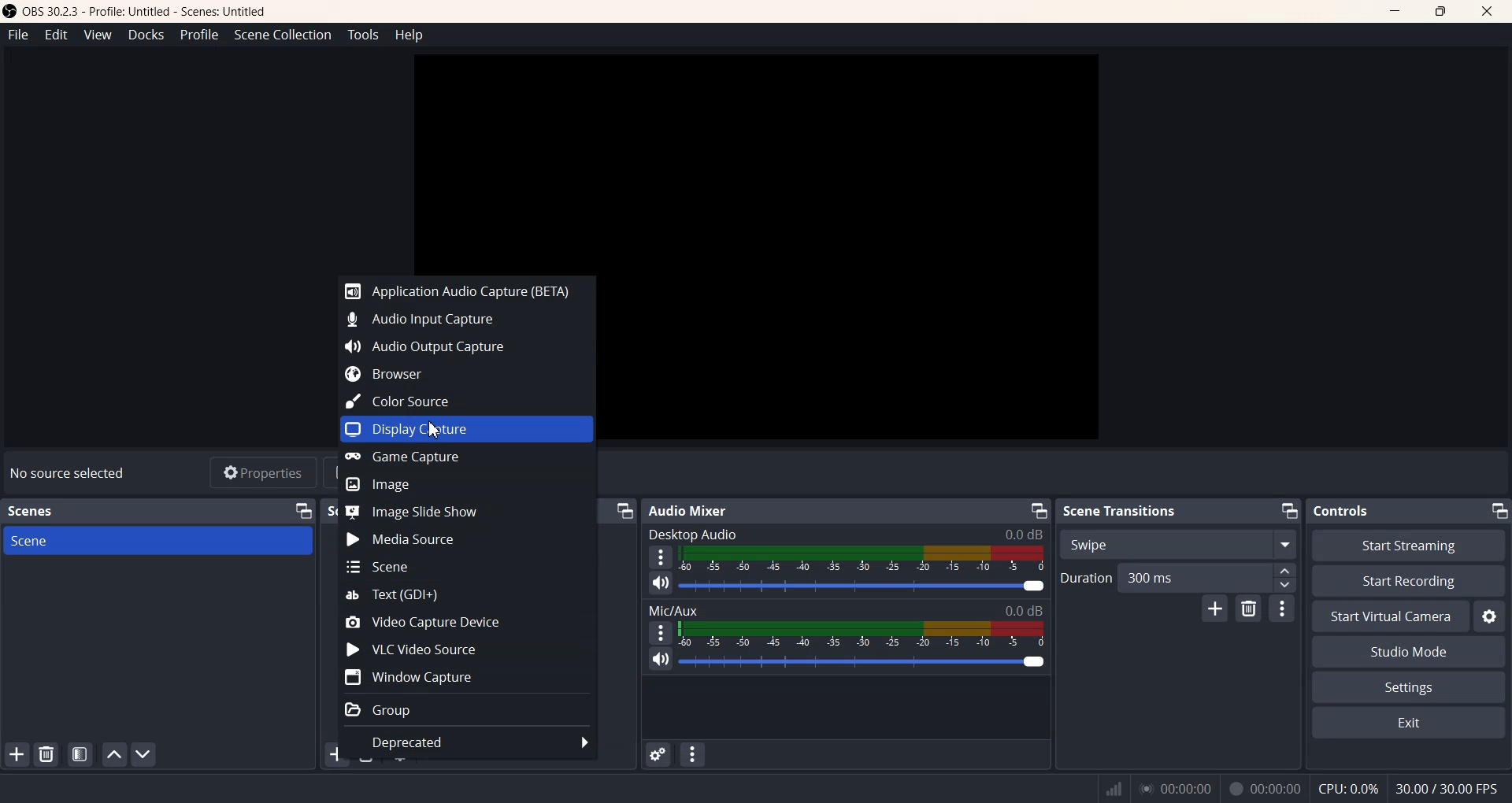 The height and width of the screenshot is (803, 1512). Describe the element at coordinates (1282, 609) in the screenshot. I see `transition properties ` at that location.